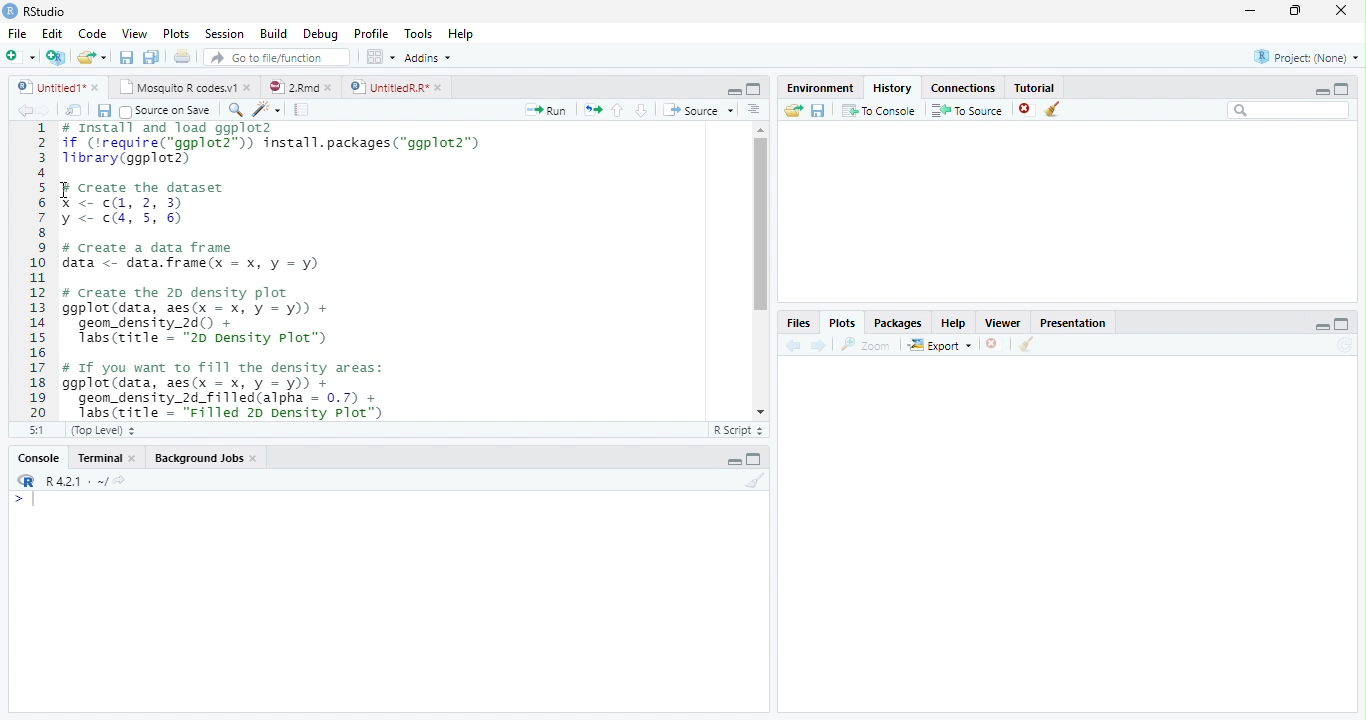  What do you see at coordinates (182, 56) in the screenshot?
I see `print current file` at bounding box center [182, 56].